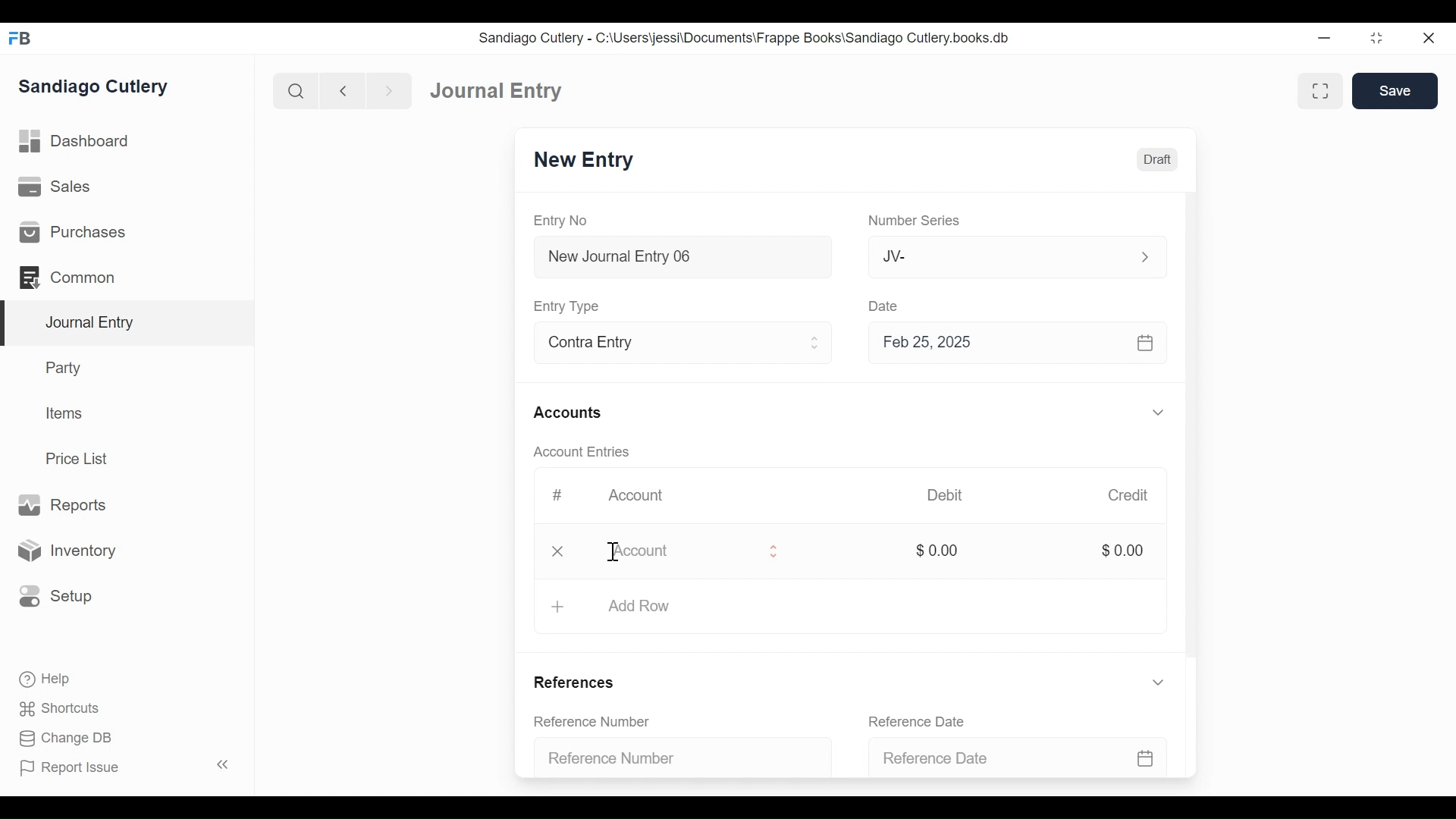 This screenshot has height=819, width=1456. What do you see at coordinates (557, 607) in the screenshot?
I see `+` at bounding box center [557, 607].